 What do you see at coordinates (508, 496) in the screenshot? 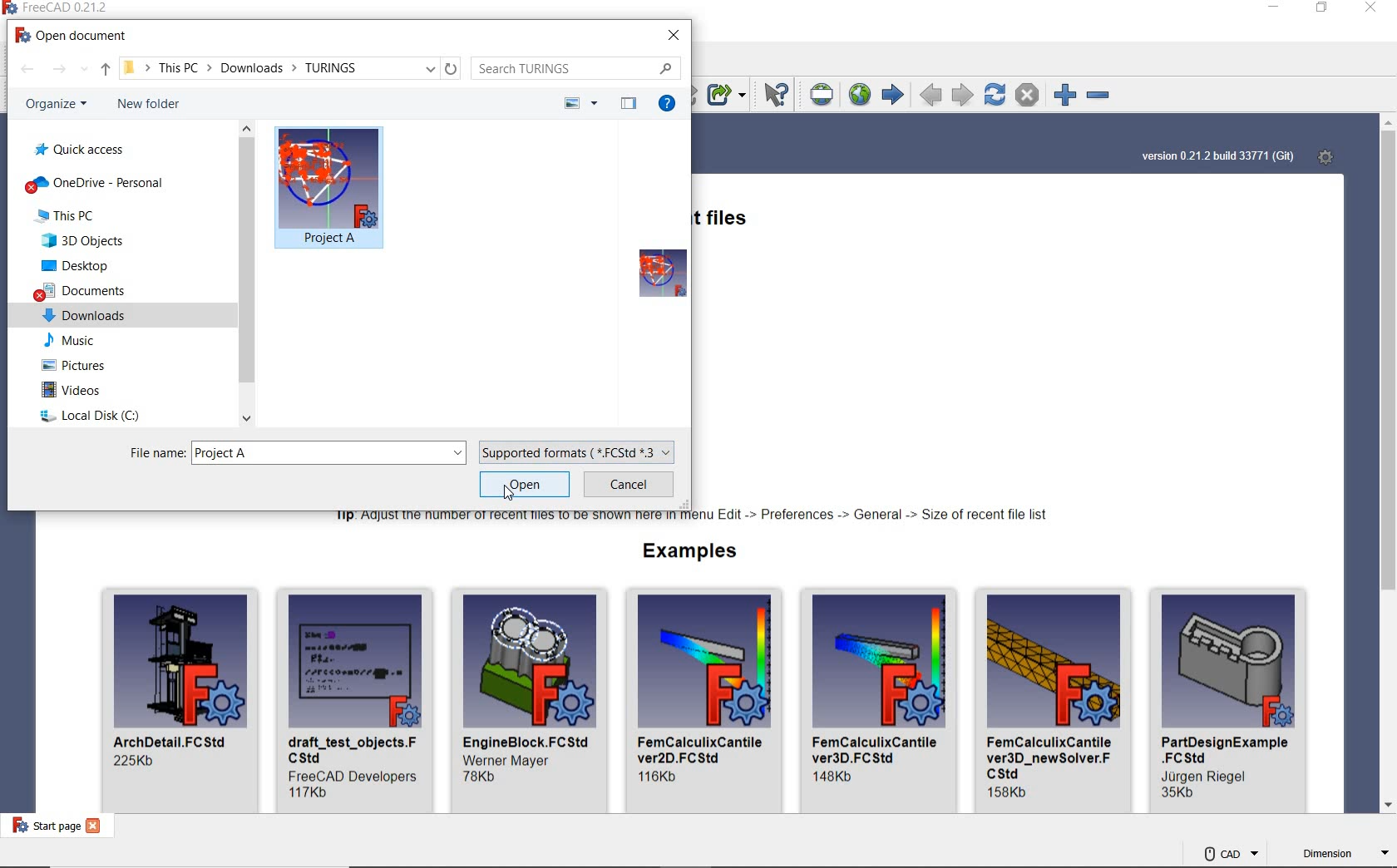
I see `cursor` at bounding box center [508, 496].